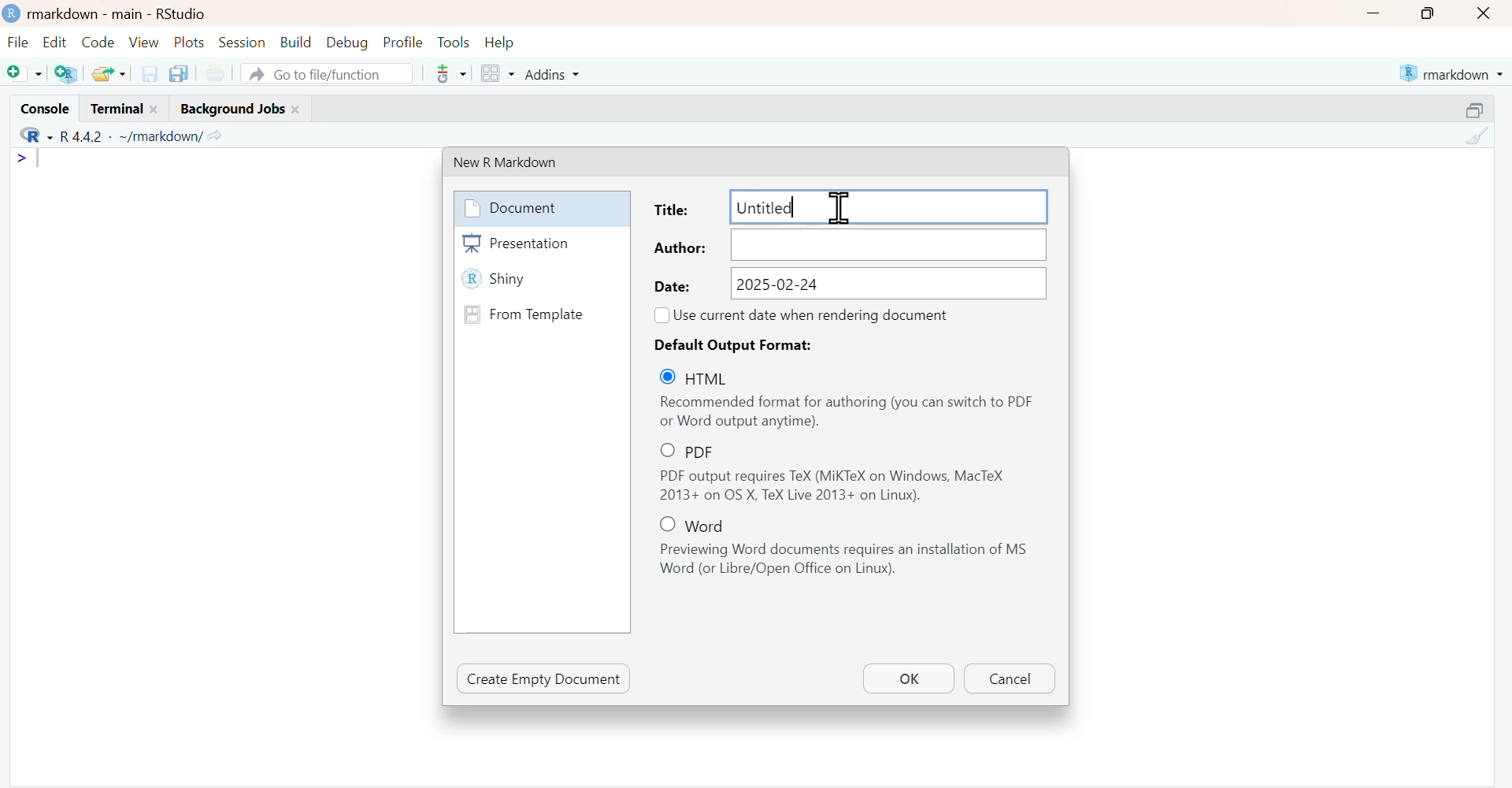 The width and height of the screenshot is (1512, 788). What do you see at coordinates (149, 73) in the screenshot?
I see `Save current document` at bounding box center [149, 73].